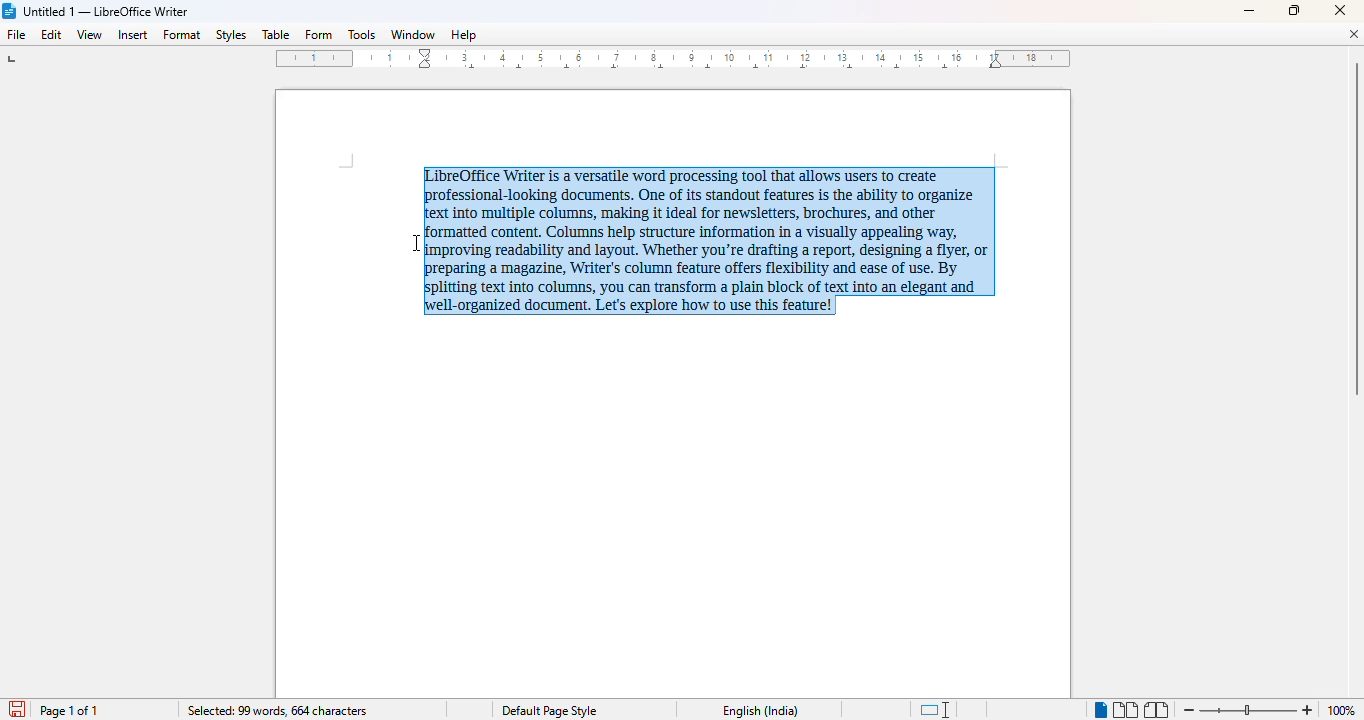  What do you see at coordinates (133, 35) in the screenshot?
I see `insert` at bounding box center [133, 35].